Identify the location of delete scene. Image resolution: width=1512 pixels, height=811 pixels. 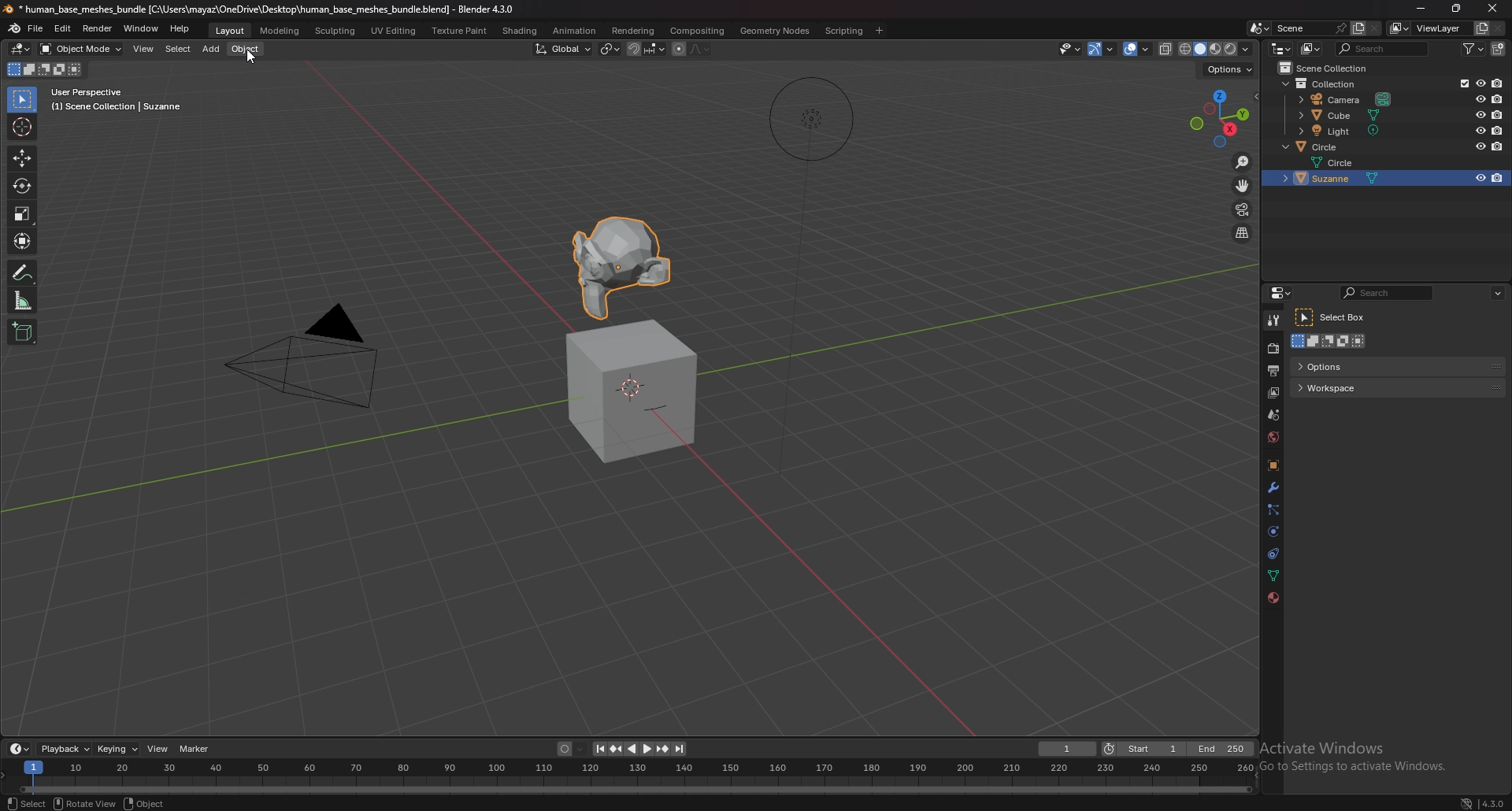
(1377, 28).